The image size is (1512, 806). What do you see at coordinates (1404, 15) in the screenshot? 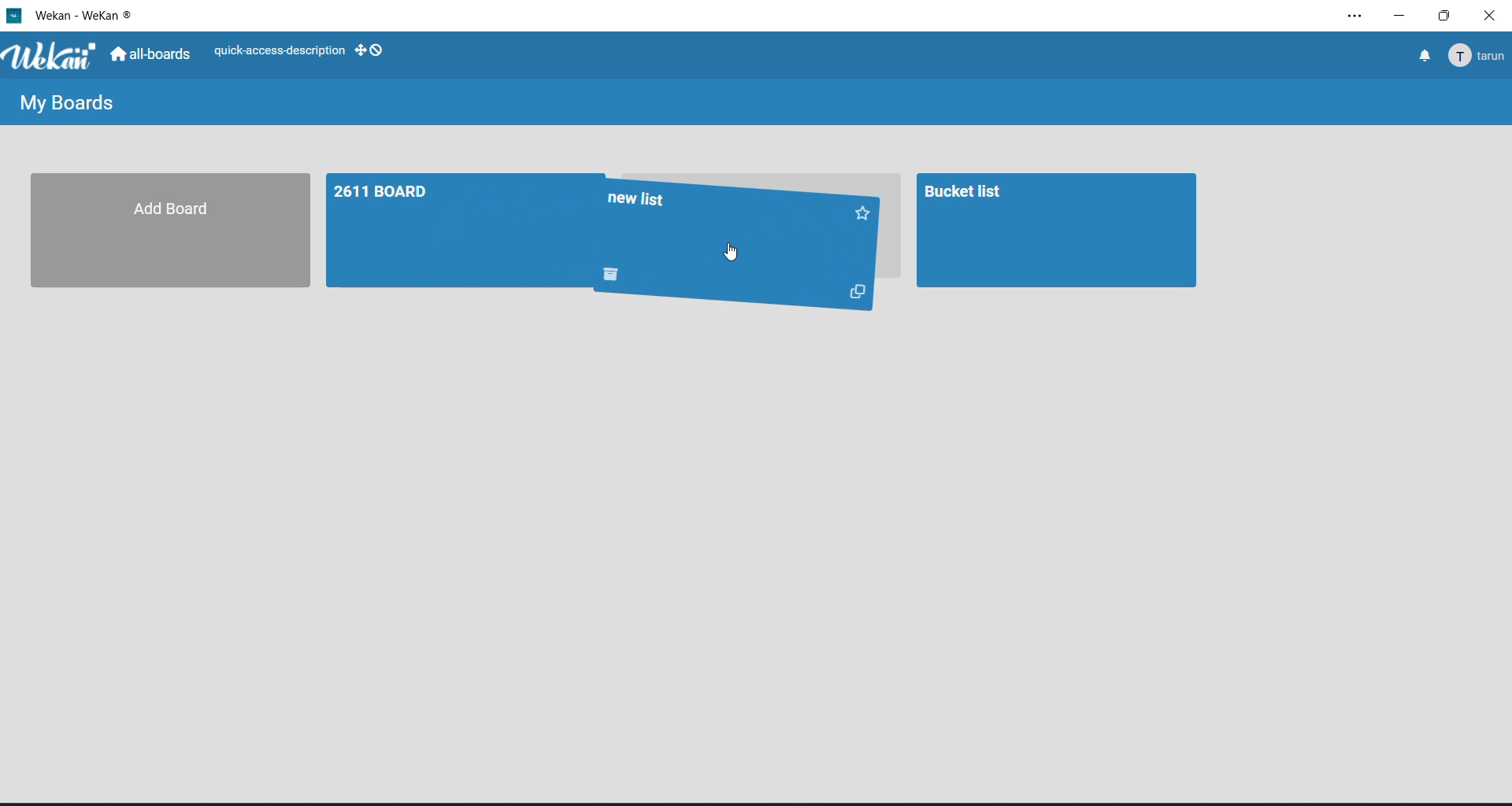
I see `minimize` at bounding box center [1404, 15].